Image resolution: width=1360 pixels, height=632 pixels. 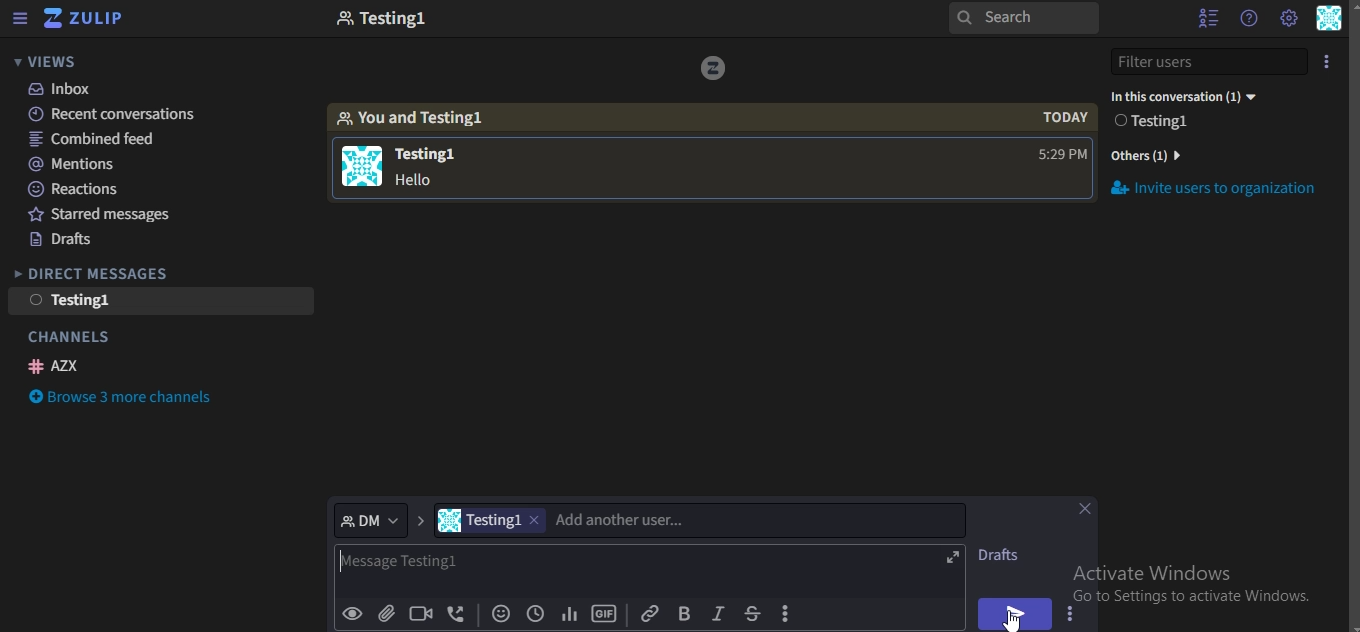 What do you see at coordinates (715, 69) in the screenshot?
I see `icon` at bounding box center [715, 69].